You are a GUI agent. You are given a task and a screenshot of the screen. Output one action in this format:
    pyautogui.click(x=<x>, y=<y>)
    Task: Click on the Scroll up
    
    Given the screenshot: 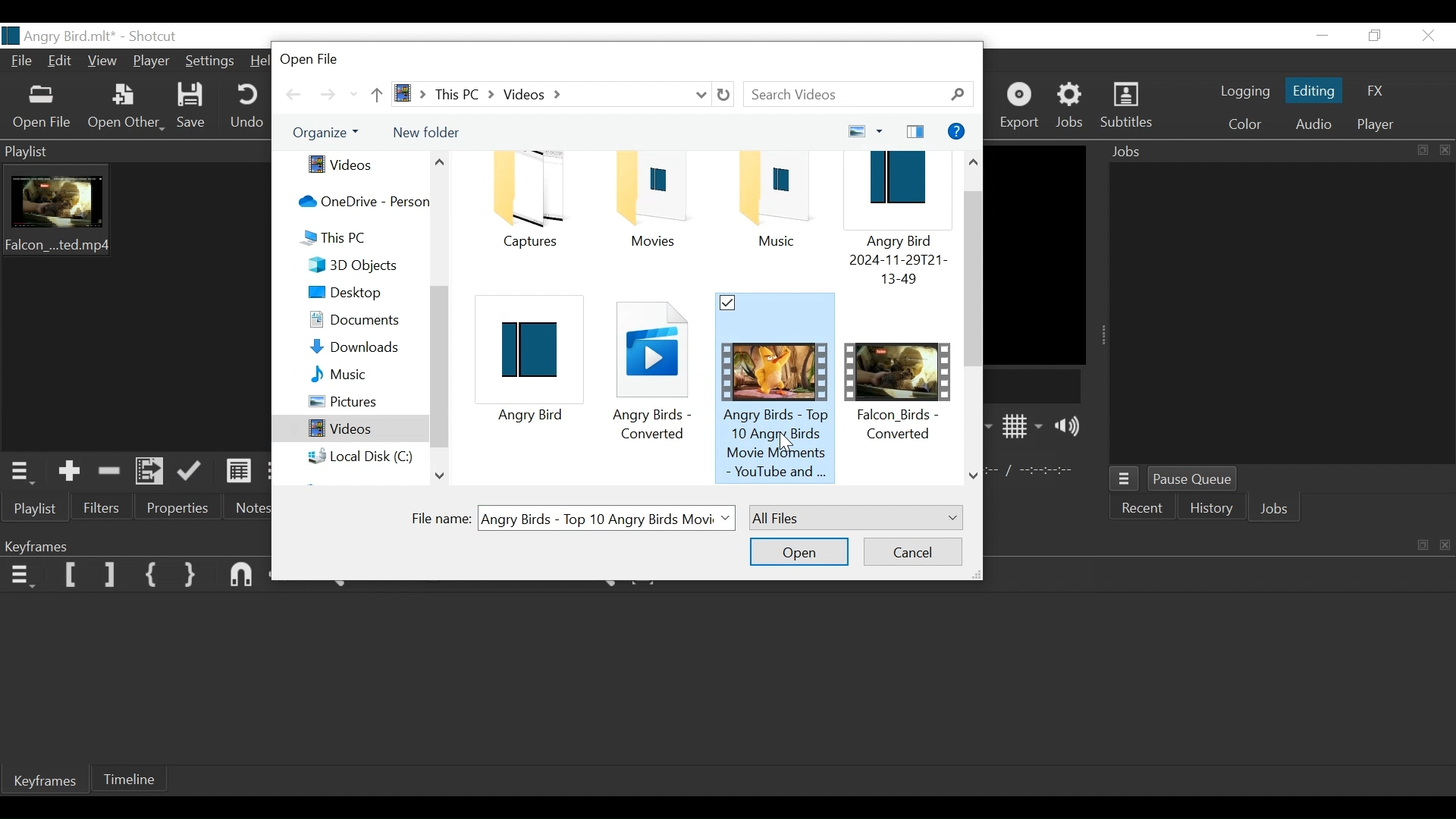 What is the action you would take?
    pyautogui.click(x=974, y=160)
    